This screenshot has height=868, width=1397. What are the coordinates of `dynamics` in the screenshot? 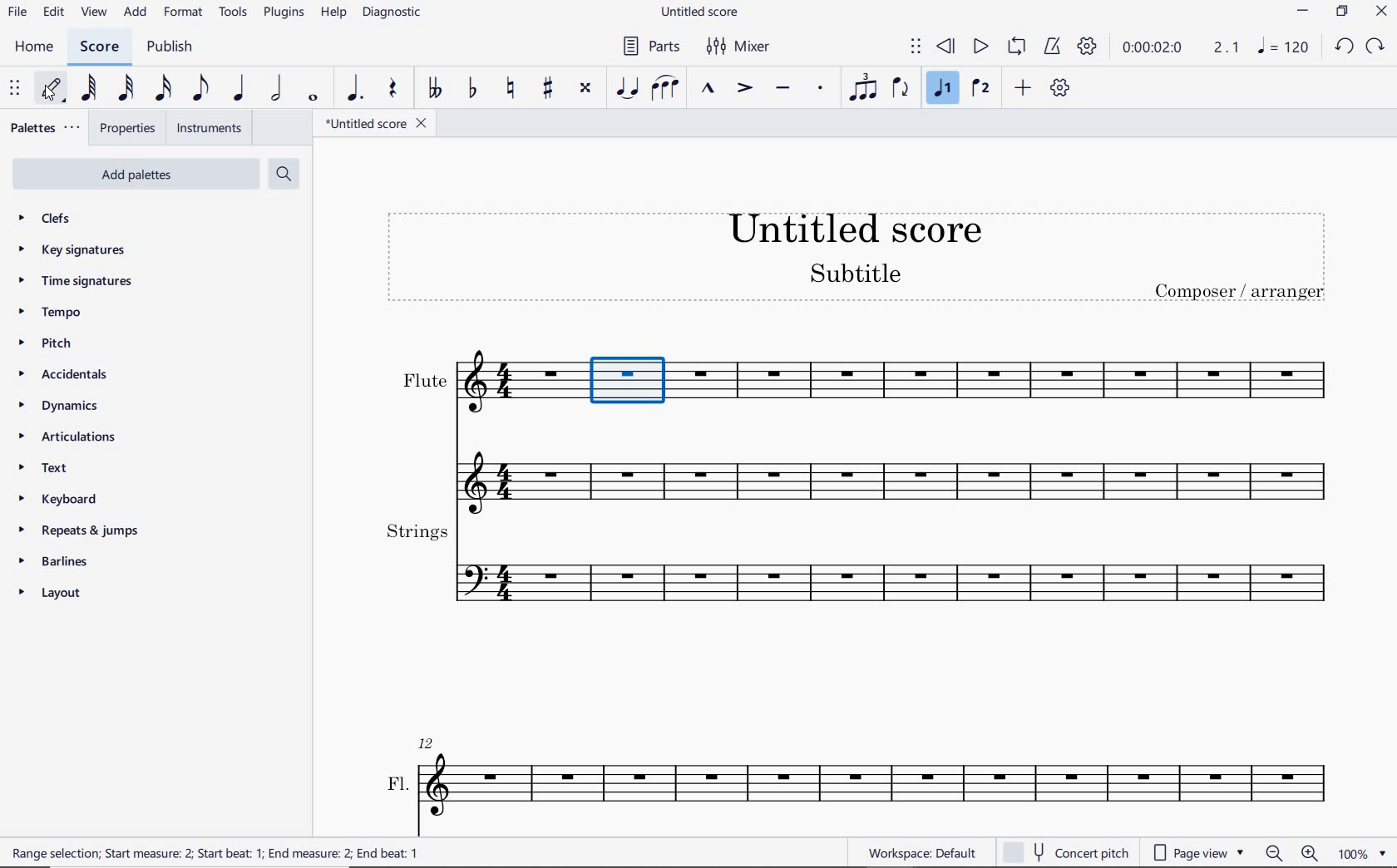 It's located at (59, 407).